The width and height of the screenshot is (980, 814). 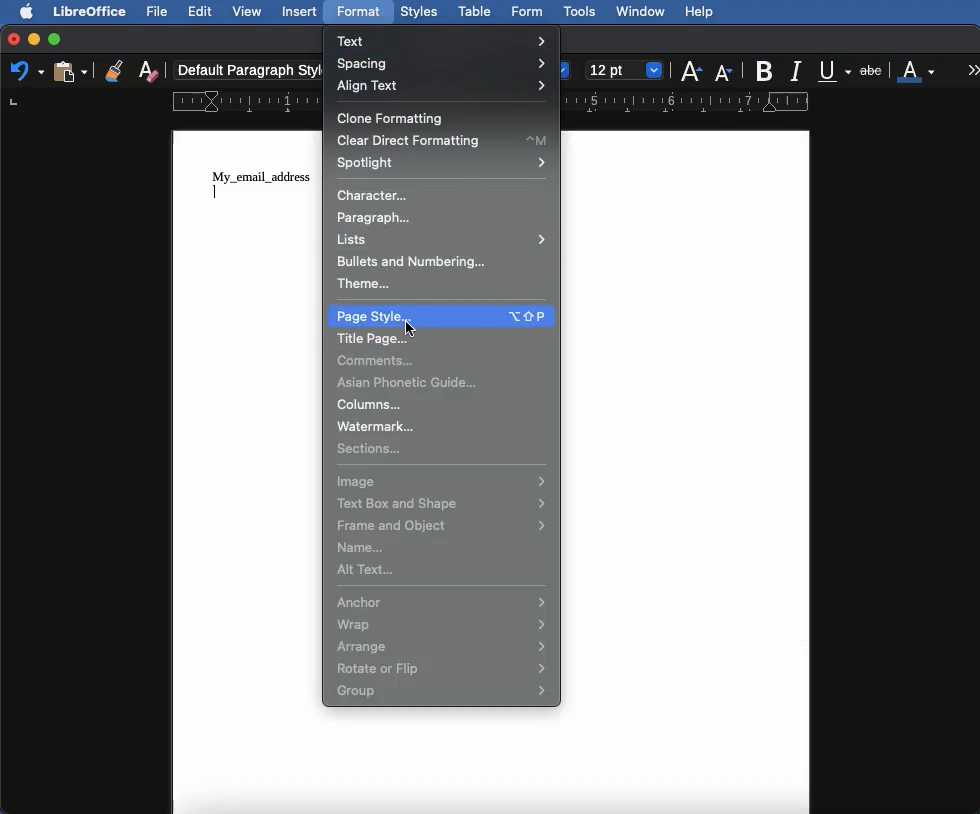 What do you see at coordinates (217, 195) in the screenshot?
I see `typing` at bounding box center [217, 195].